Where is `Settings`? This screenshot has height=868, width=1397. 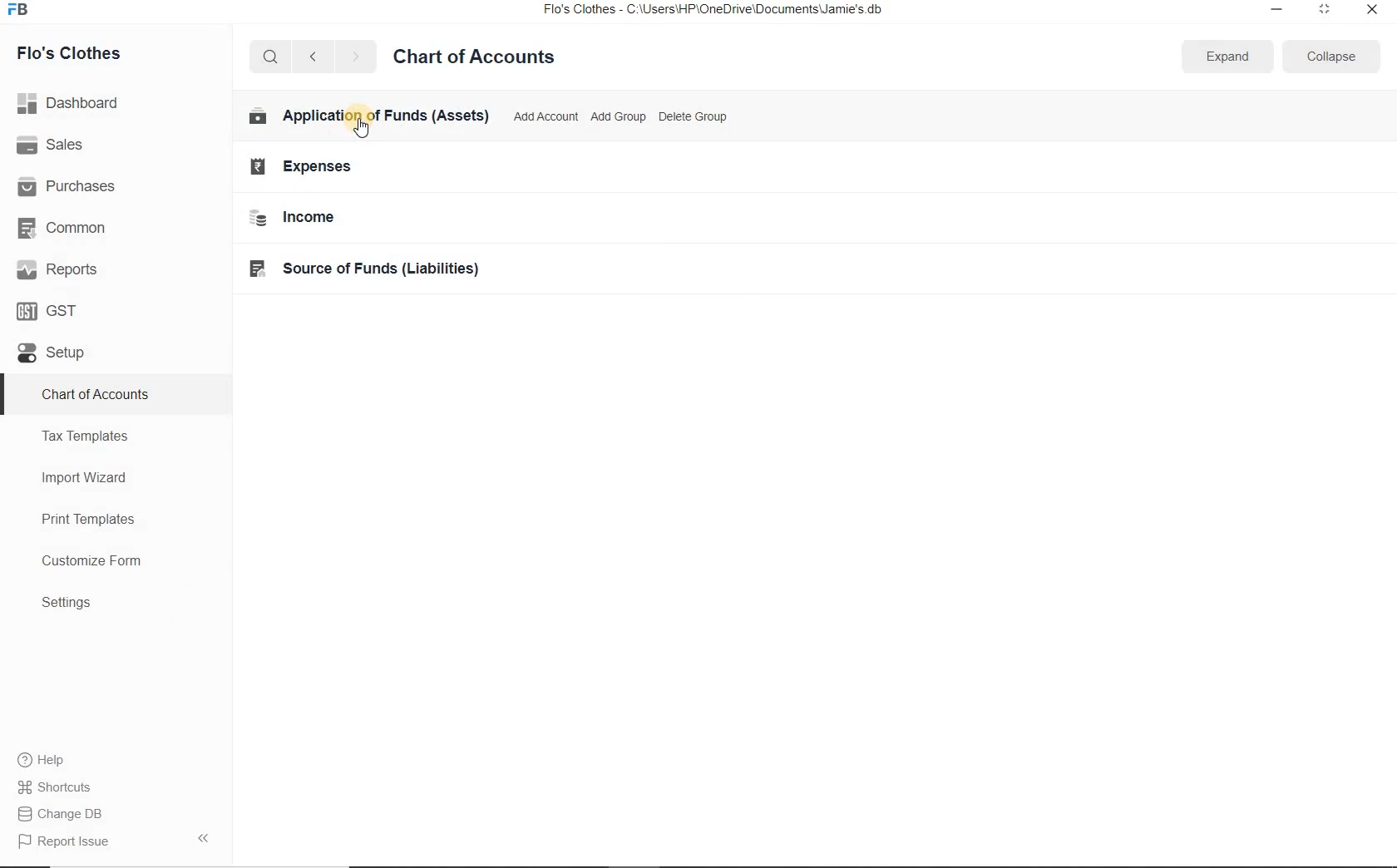 Settings is located at coordinates (113, 604).